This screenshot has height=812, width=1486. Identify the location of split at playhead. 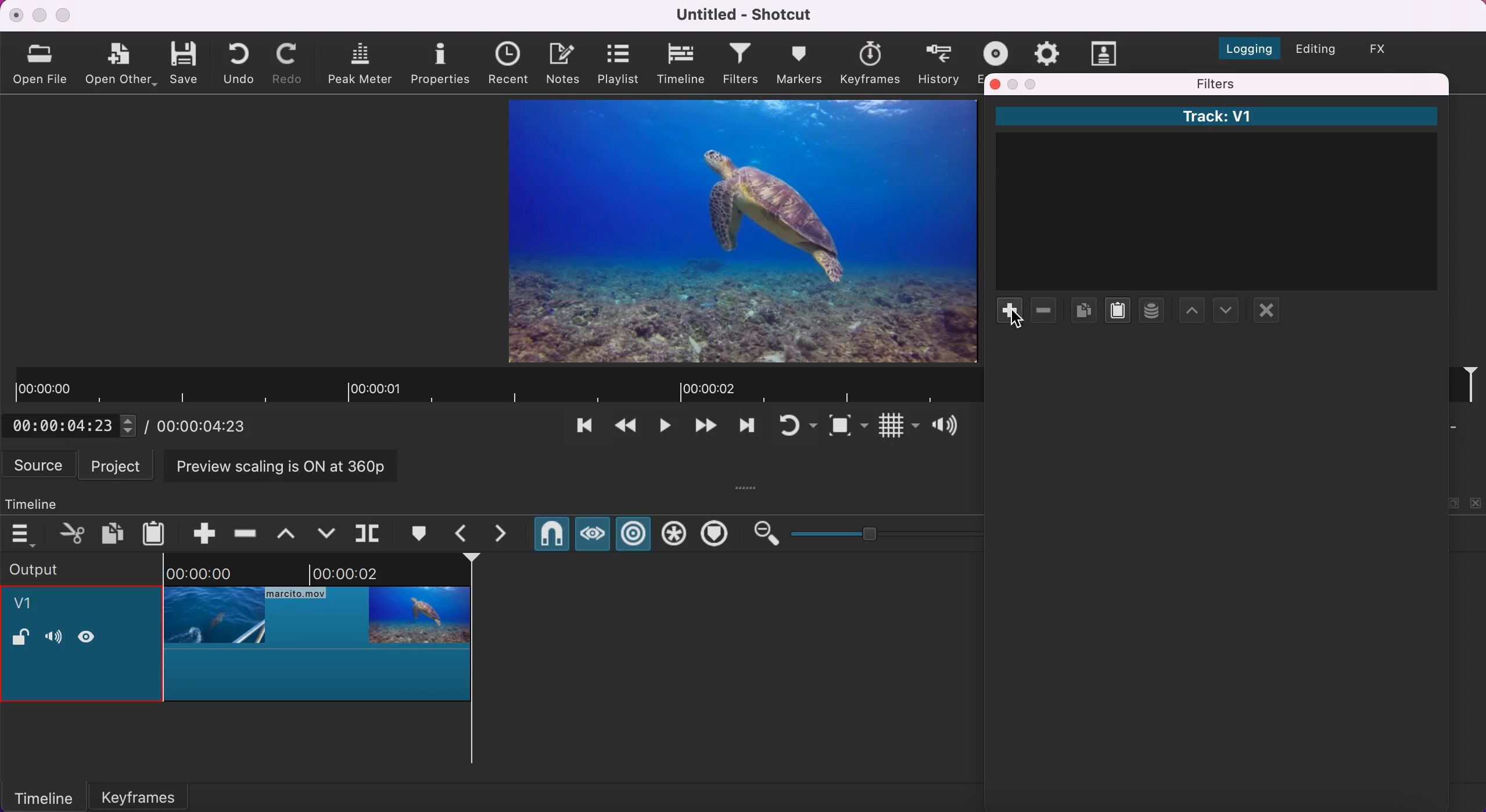
(370, 534).